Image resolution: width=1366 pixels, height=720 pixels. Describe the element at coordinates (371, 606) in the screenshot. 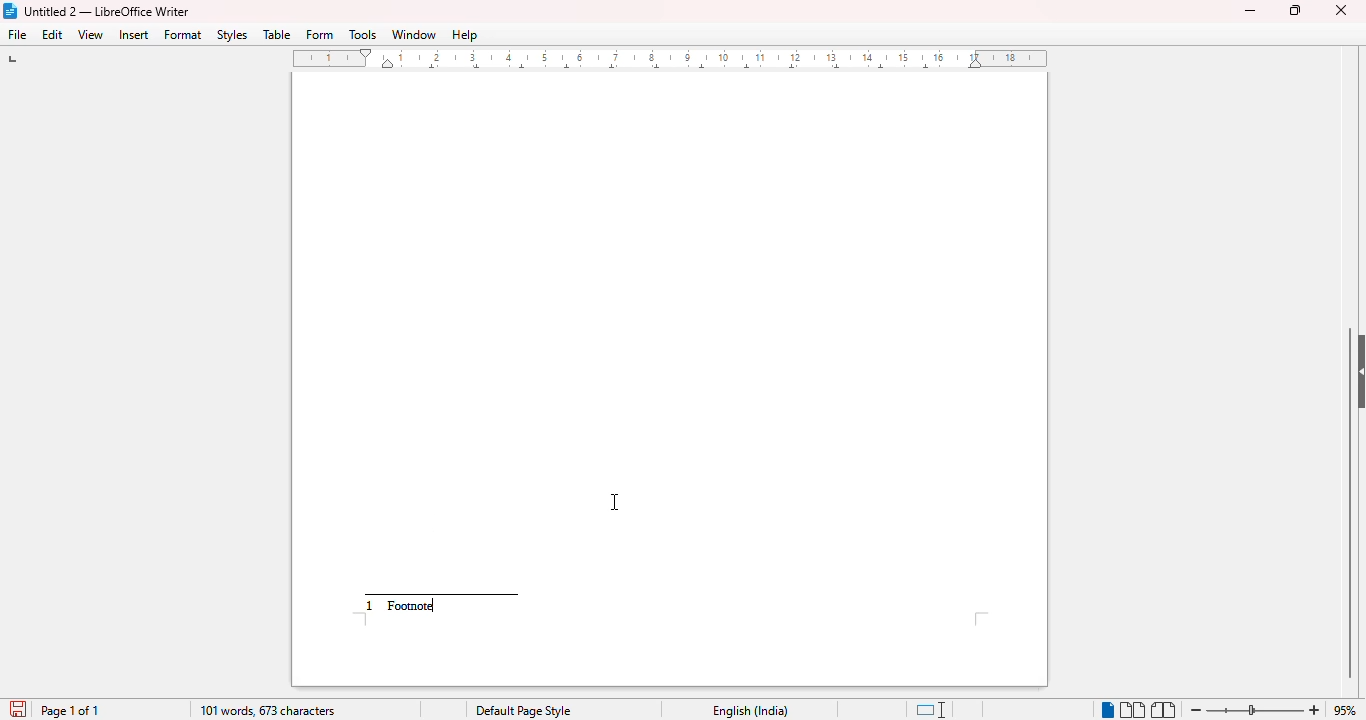

I see `footnote number` at that location.